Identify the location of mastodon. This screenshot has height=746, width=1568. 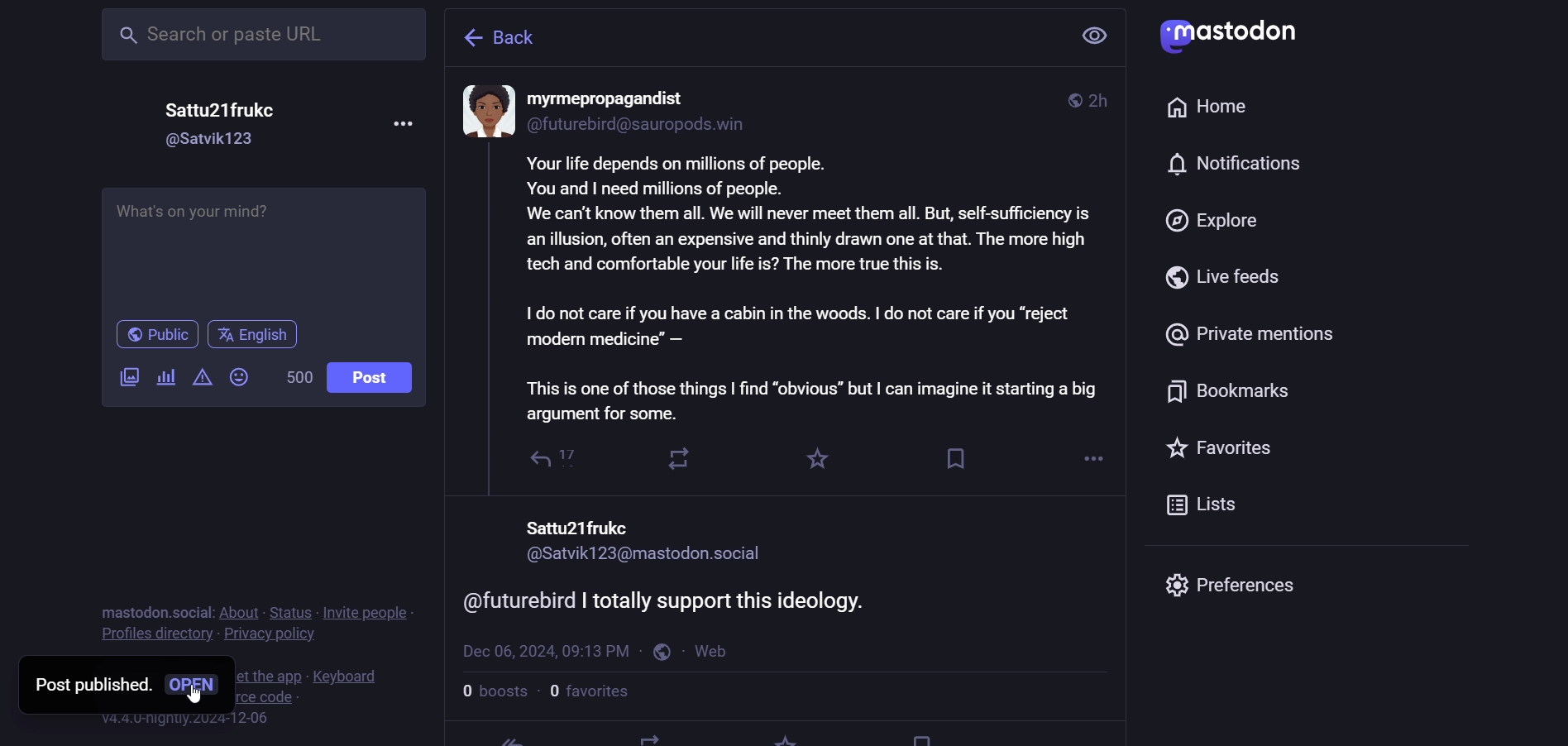
(1232, 34).